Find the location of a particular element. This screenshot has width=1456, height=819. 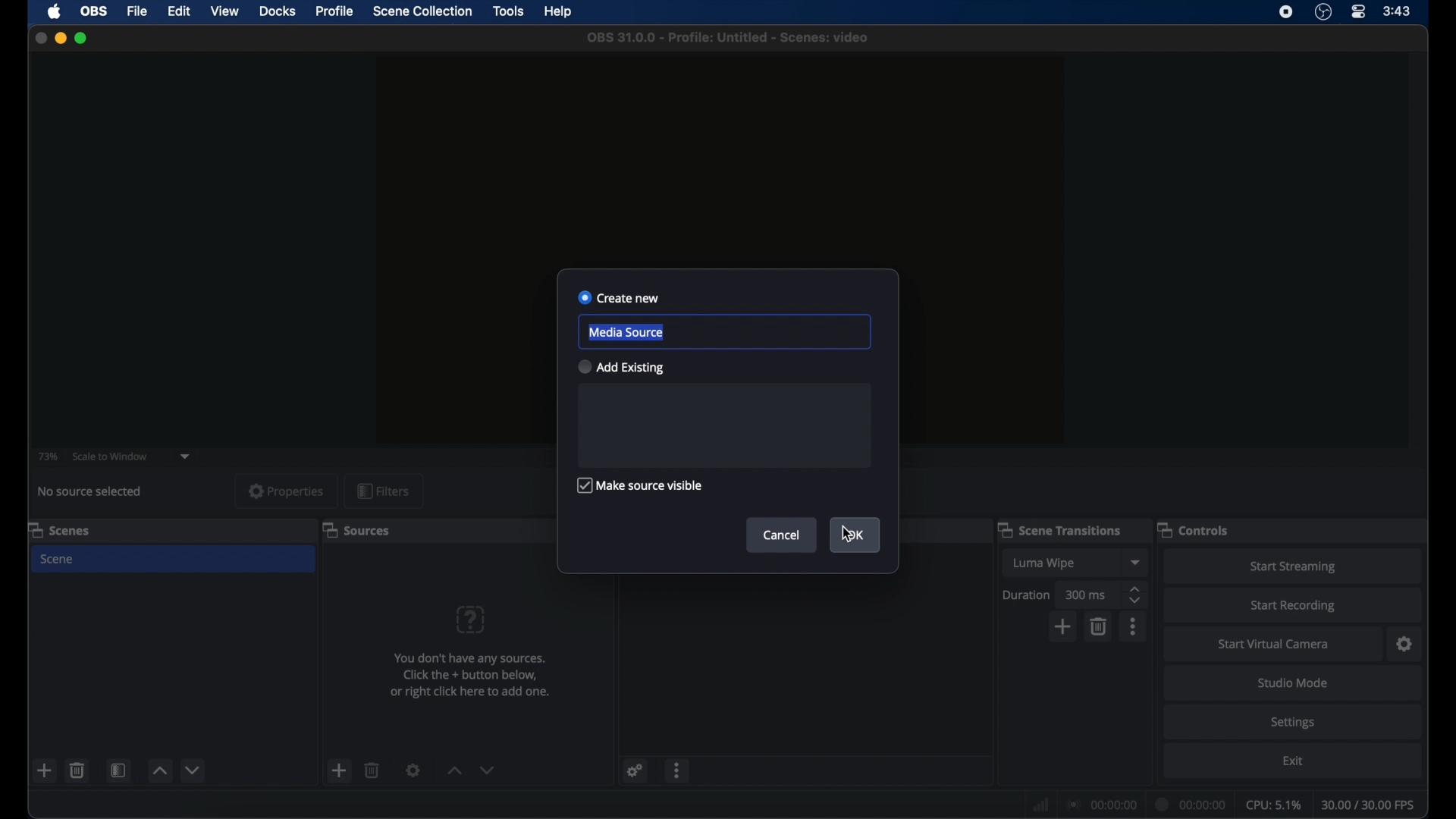

3:43 is located at coordinates (1398, 11).